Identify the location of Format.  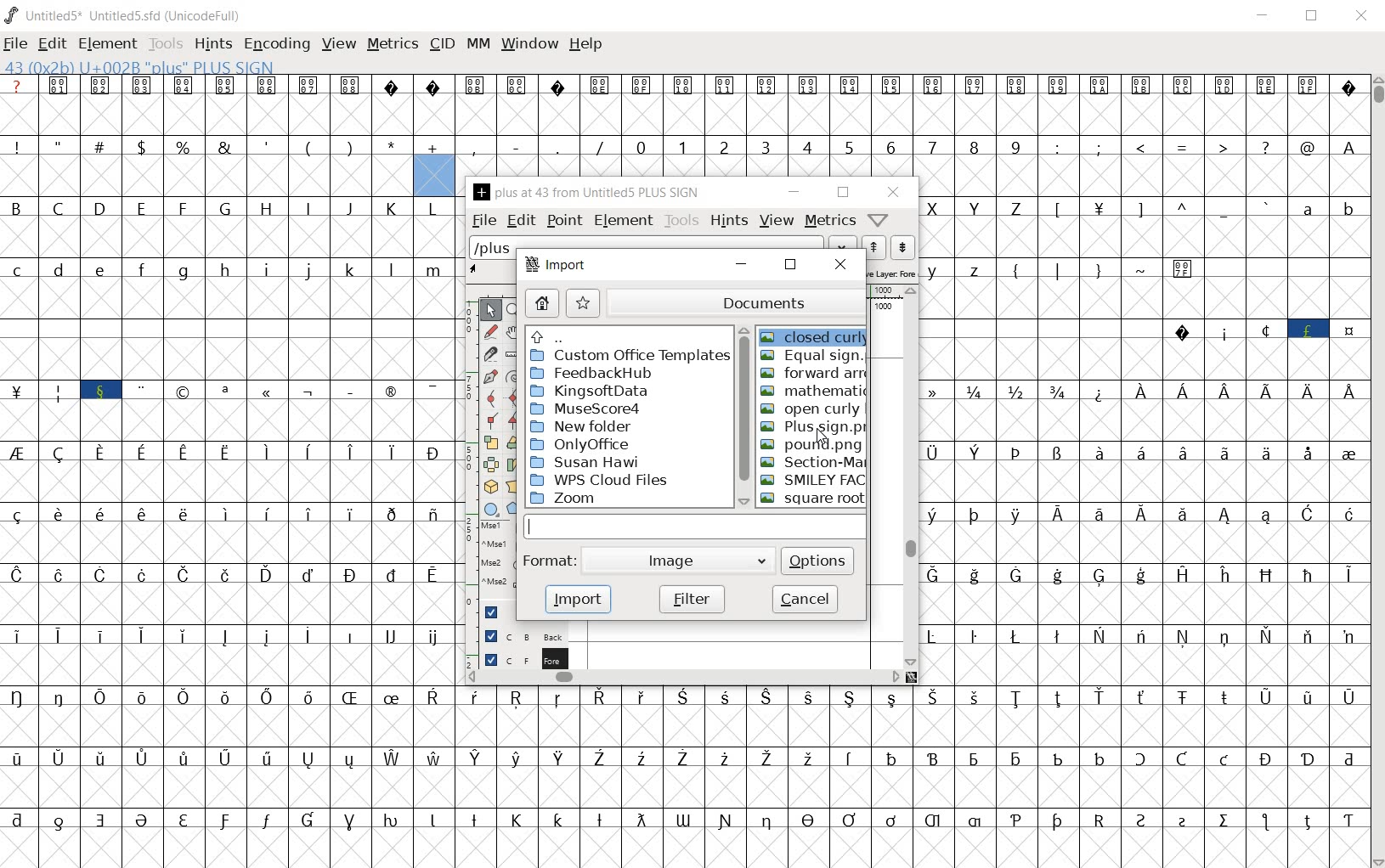
(553, 561).